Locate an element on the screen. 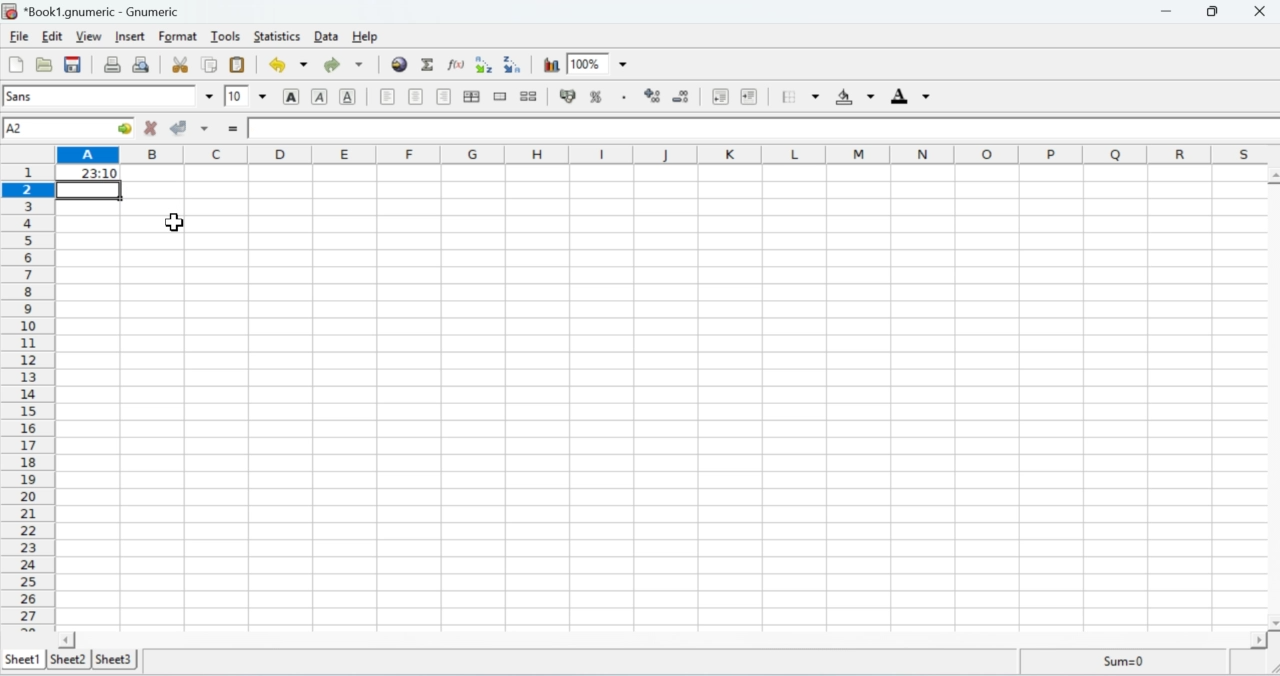  Zoom is located at coordinates (600, 63).